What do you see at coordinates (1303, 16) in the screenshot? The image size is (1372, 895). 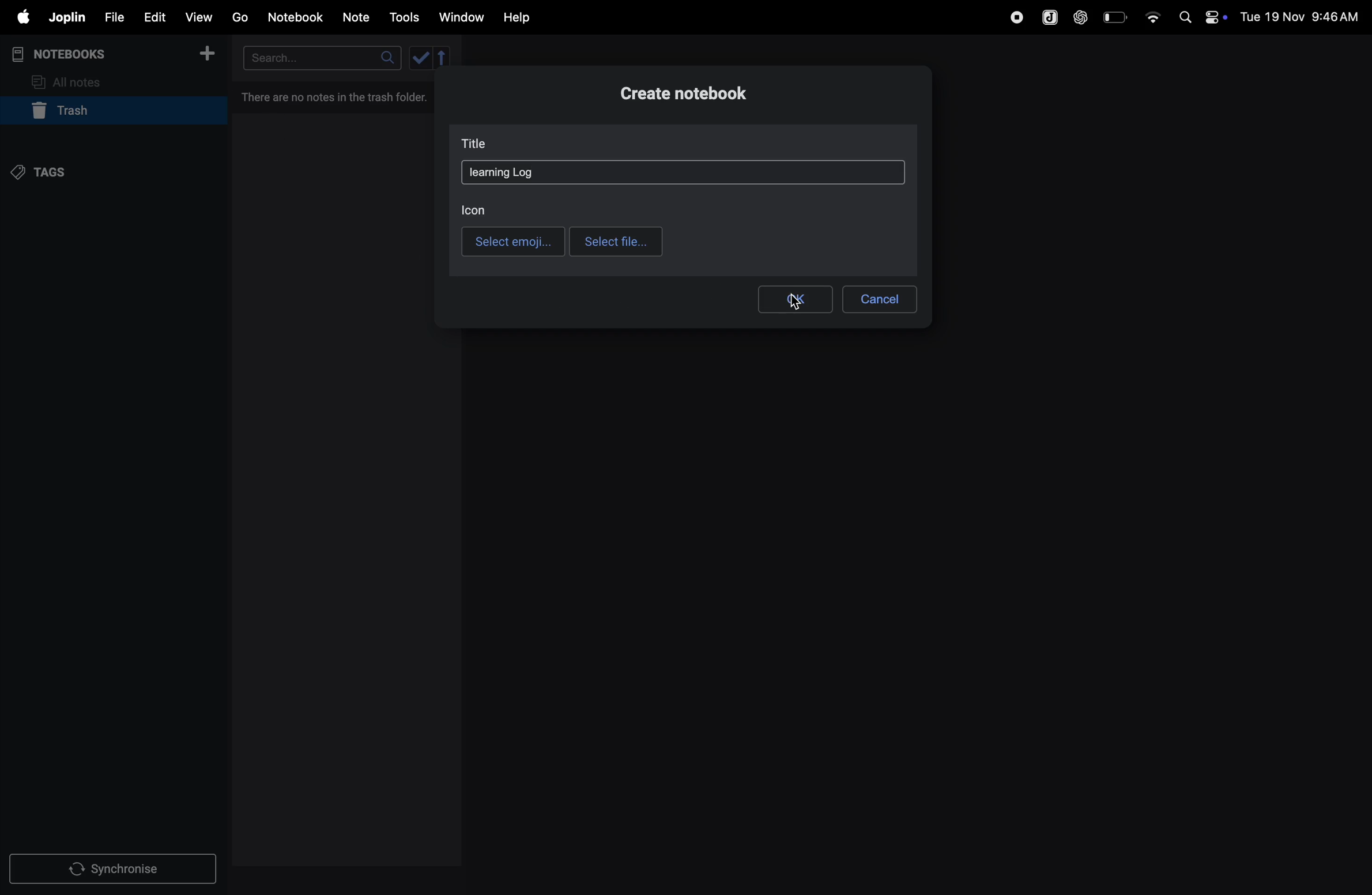 I see `date and time` at bounding box center [1303, 16].